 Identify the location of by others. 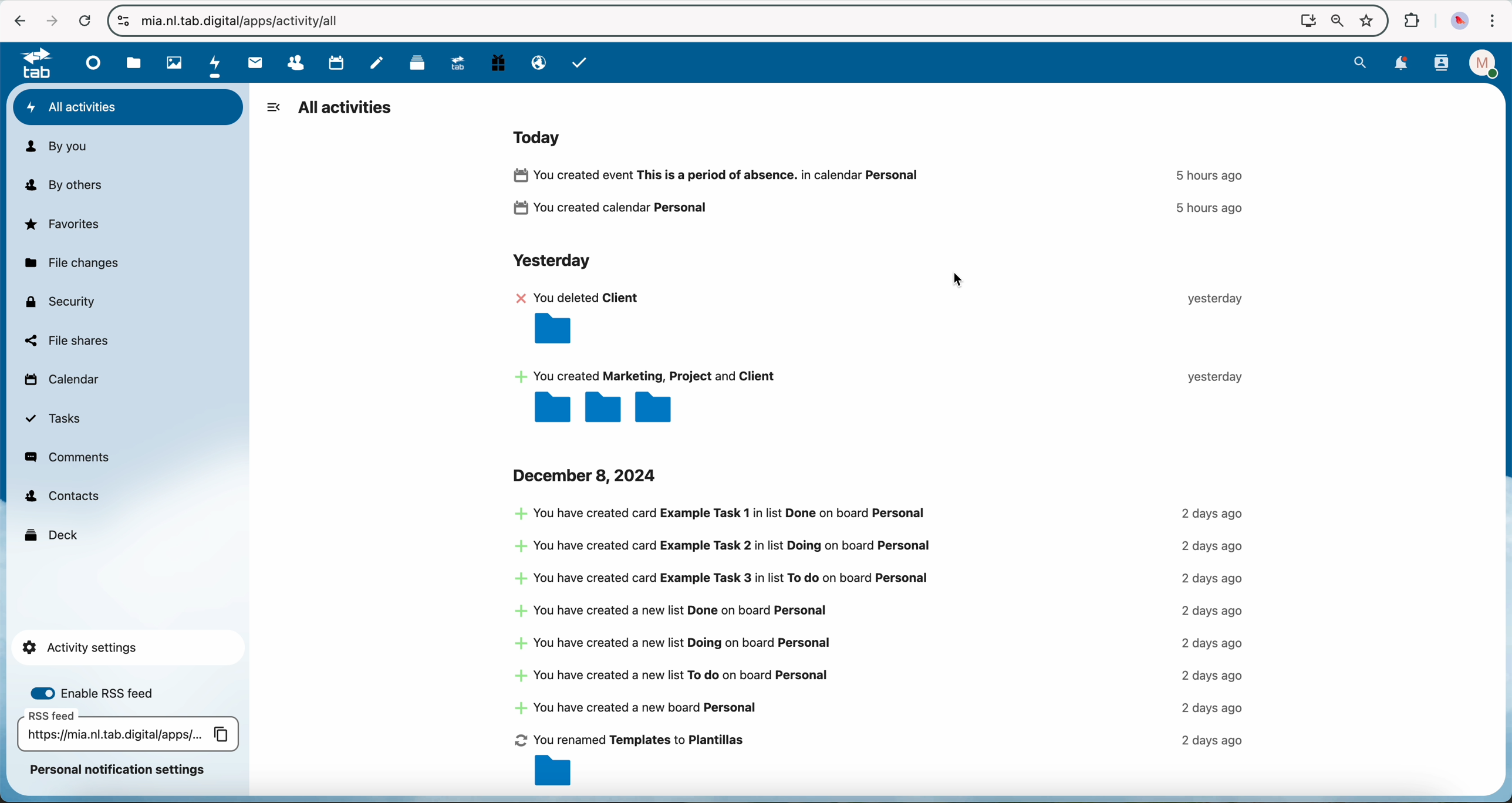
(70, 185).